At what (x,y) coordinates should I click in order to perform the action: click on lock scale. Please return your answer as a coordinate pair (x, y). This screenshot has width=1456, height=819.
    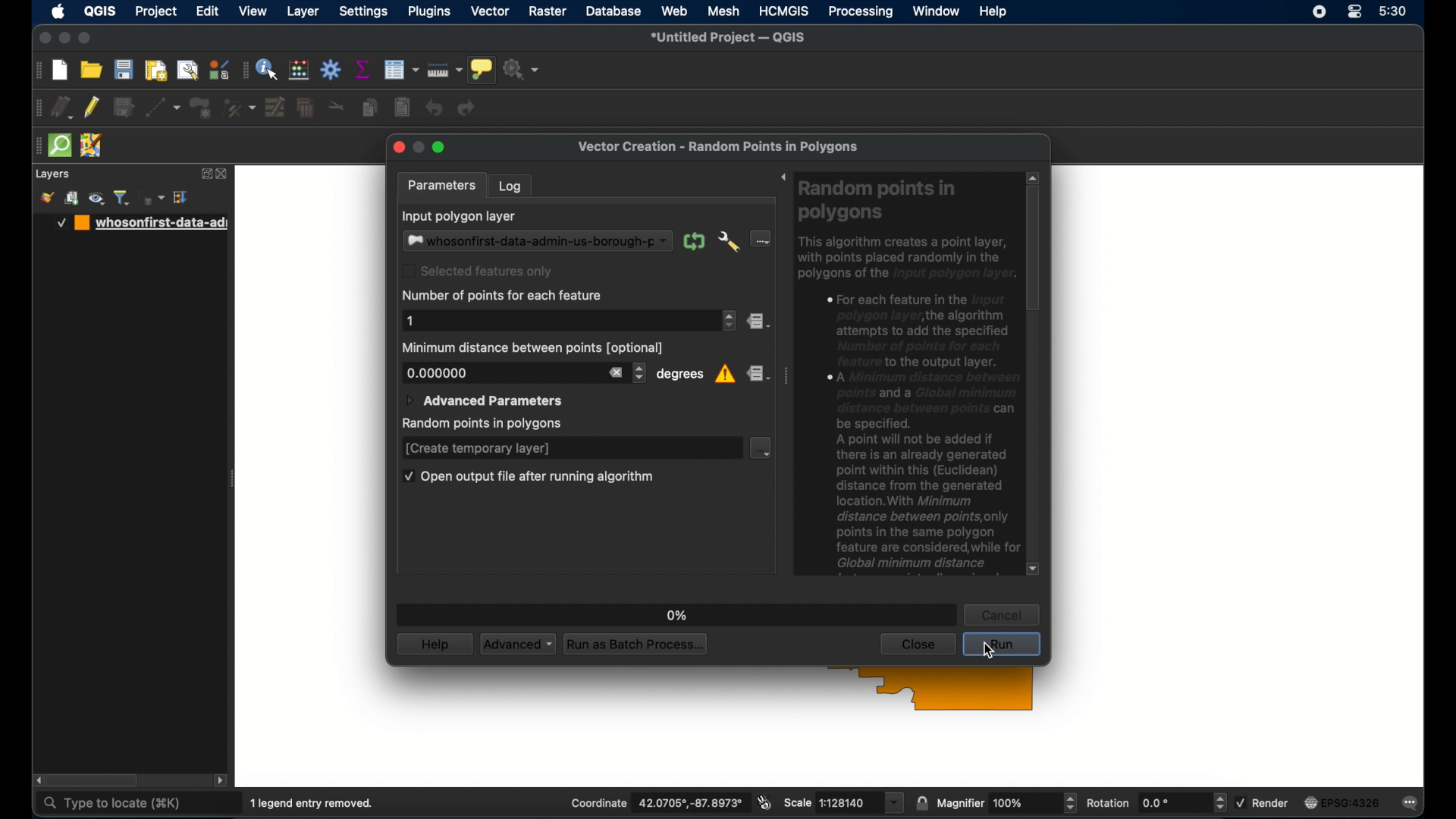
    Looking at the image, I should click on (921, 803).